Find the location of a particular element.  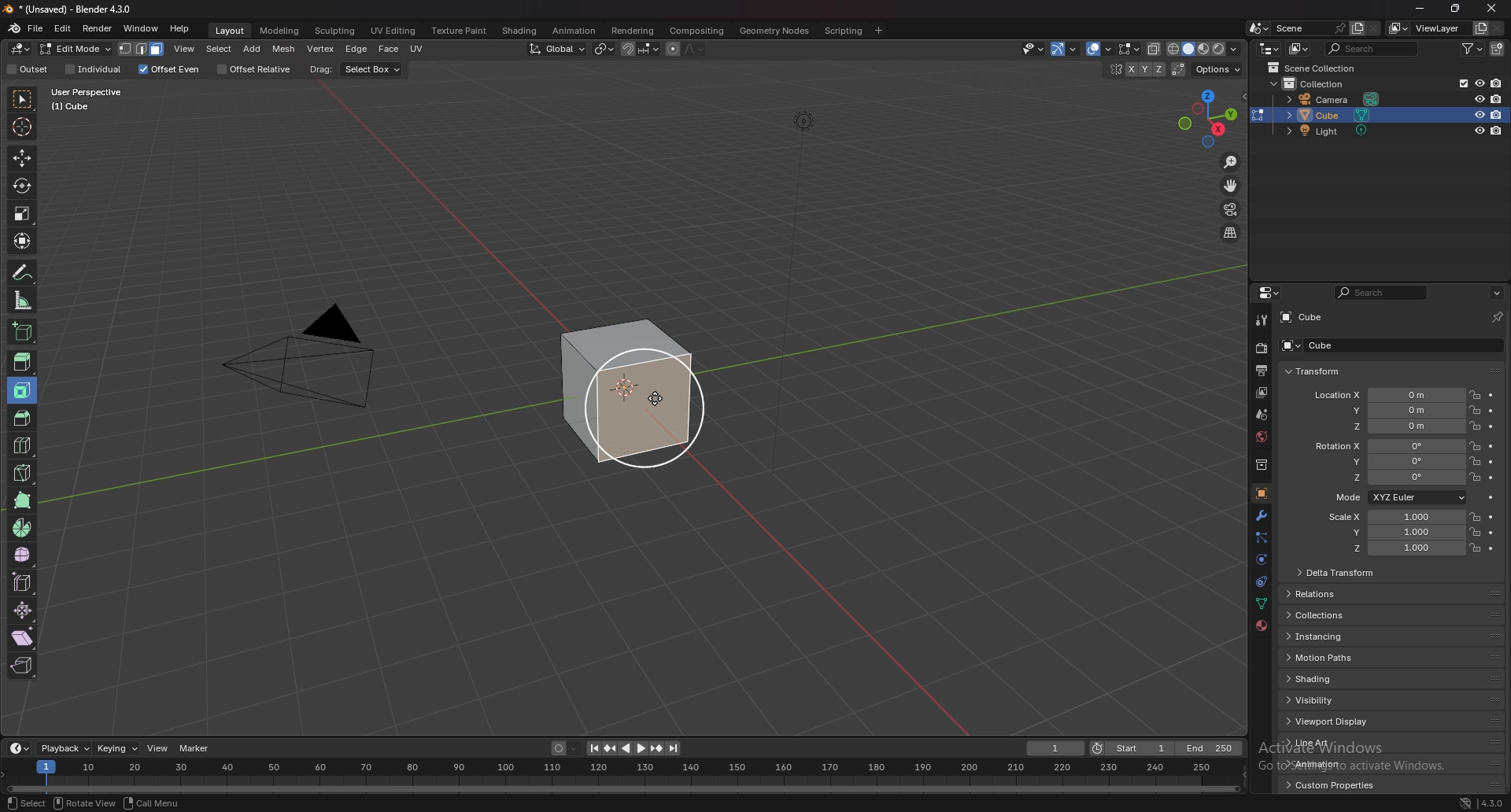

proportional editing falloff is located at coordinates (695, 49).